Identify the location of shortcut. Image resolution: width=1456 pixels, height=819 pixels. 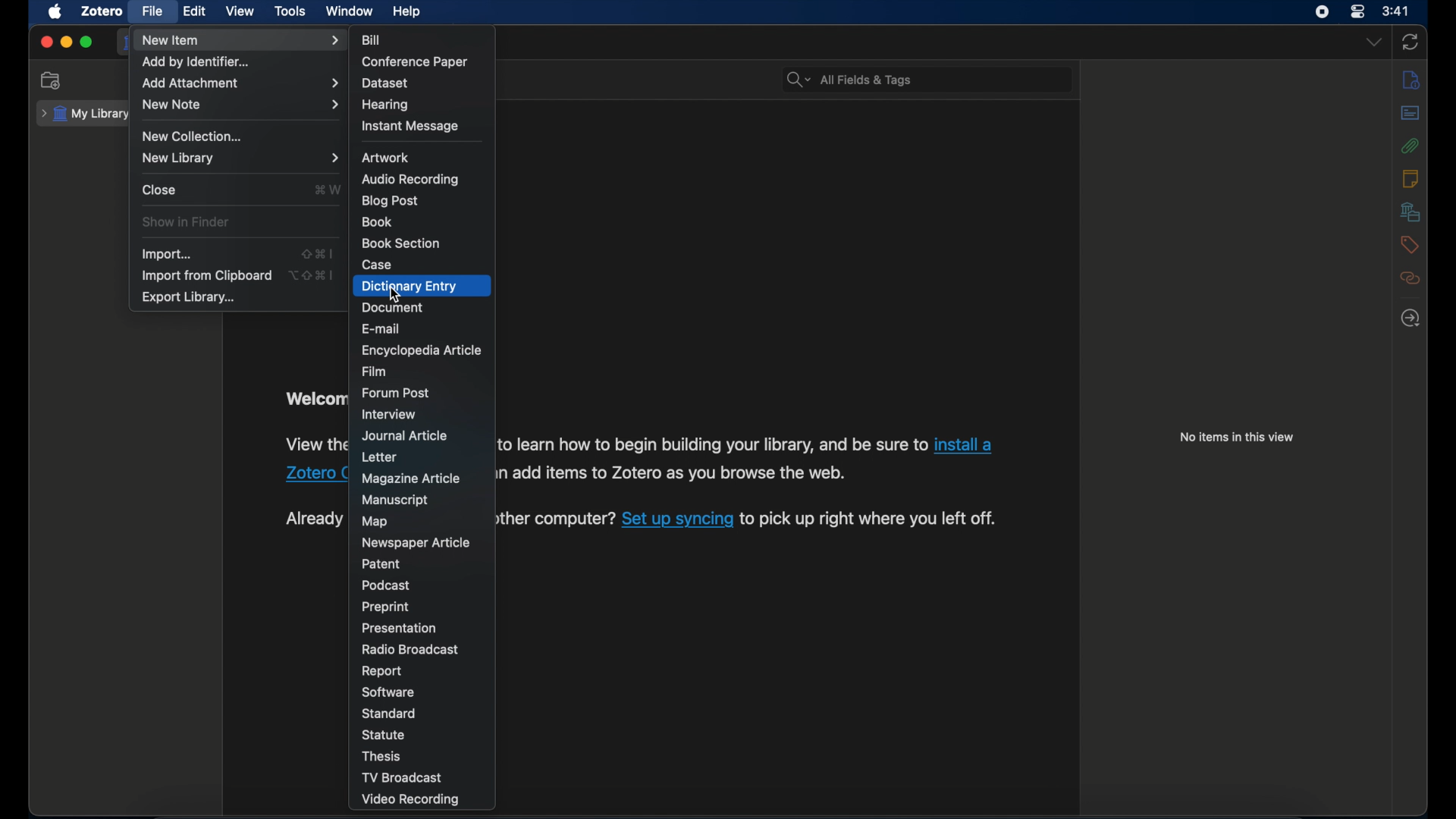
(328, 189).